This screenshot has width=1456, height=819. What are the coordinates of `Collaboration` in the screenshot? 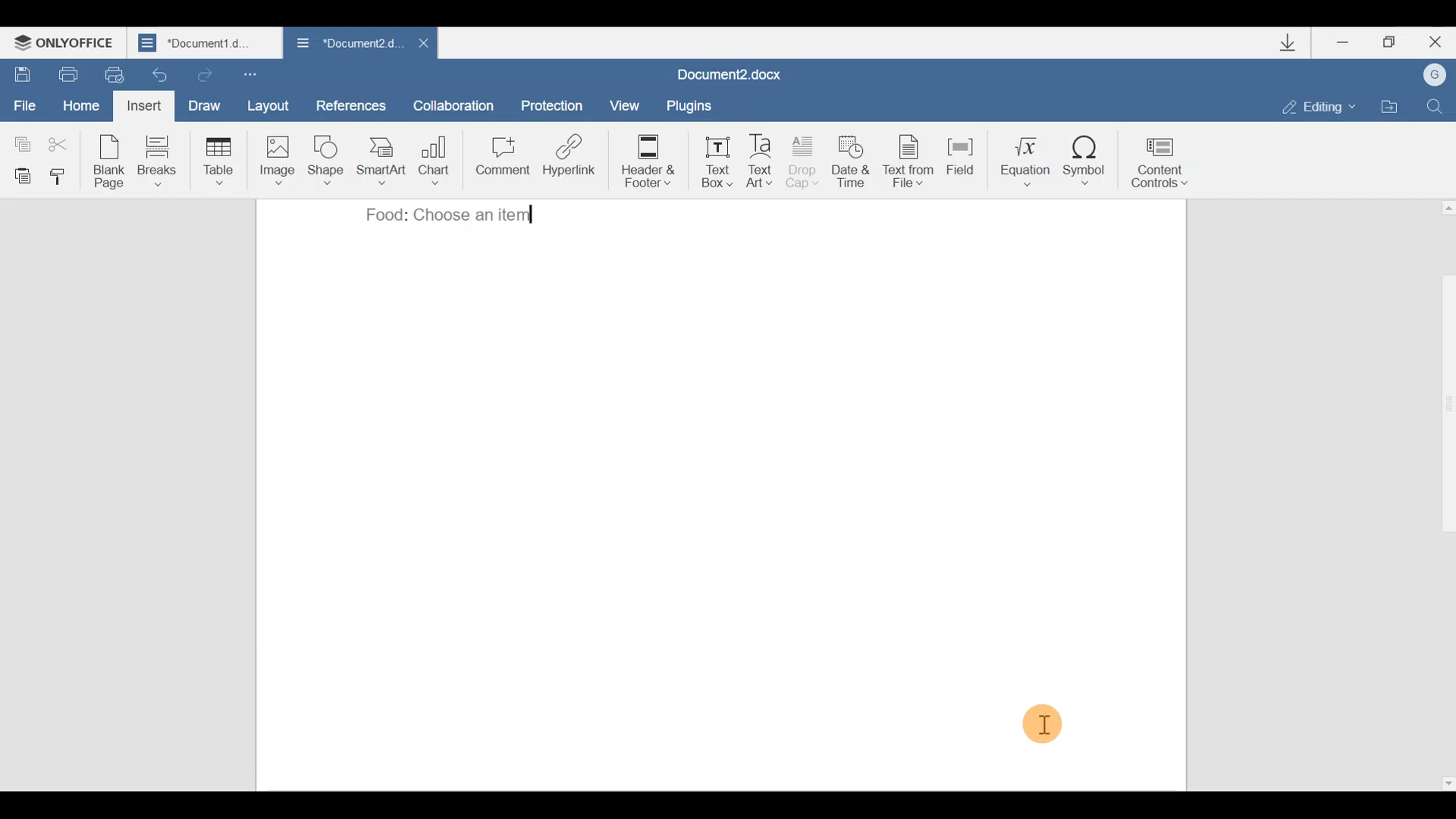 It's located at (459, 104).